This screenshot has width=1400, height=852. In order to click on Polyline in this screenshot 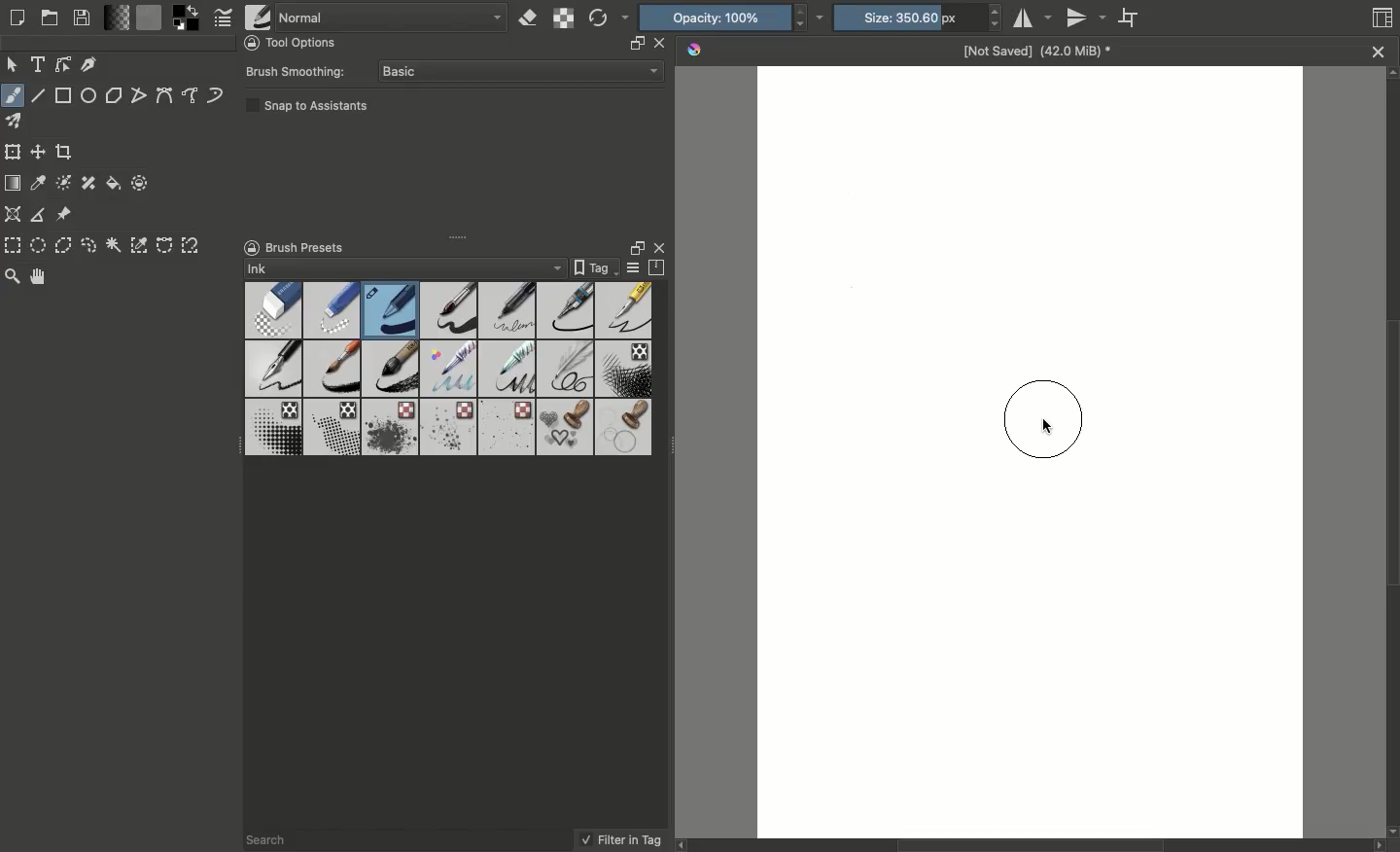, I will do `click(139, 95)`.